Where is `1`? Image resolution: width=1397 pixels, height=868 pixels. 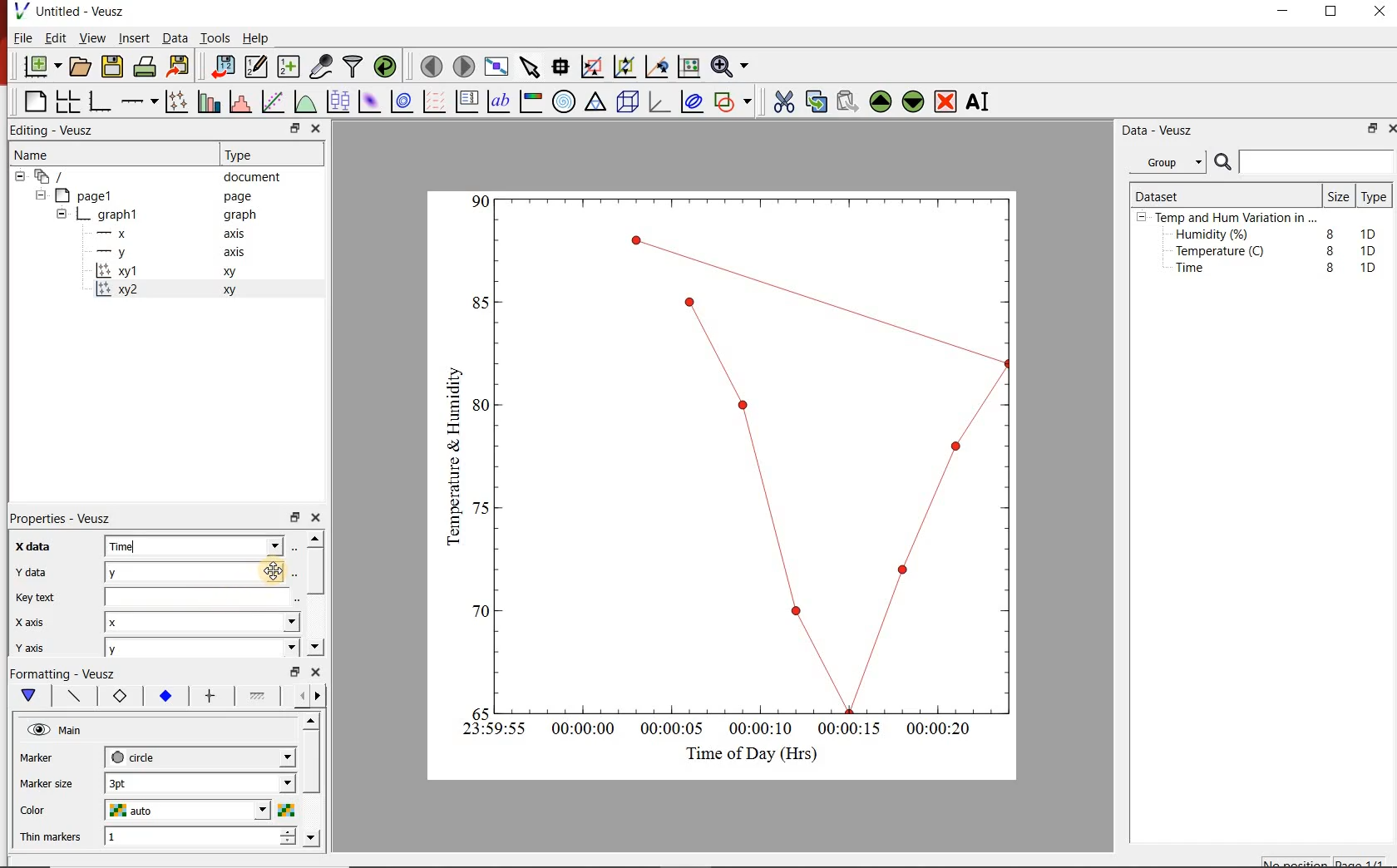
1 is located at coordinates (481, 200).